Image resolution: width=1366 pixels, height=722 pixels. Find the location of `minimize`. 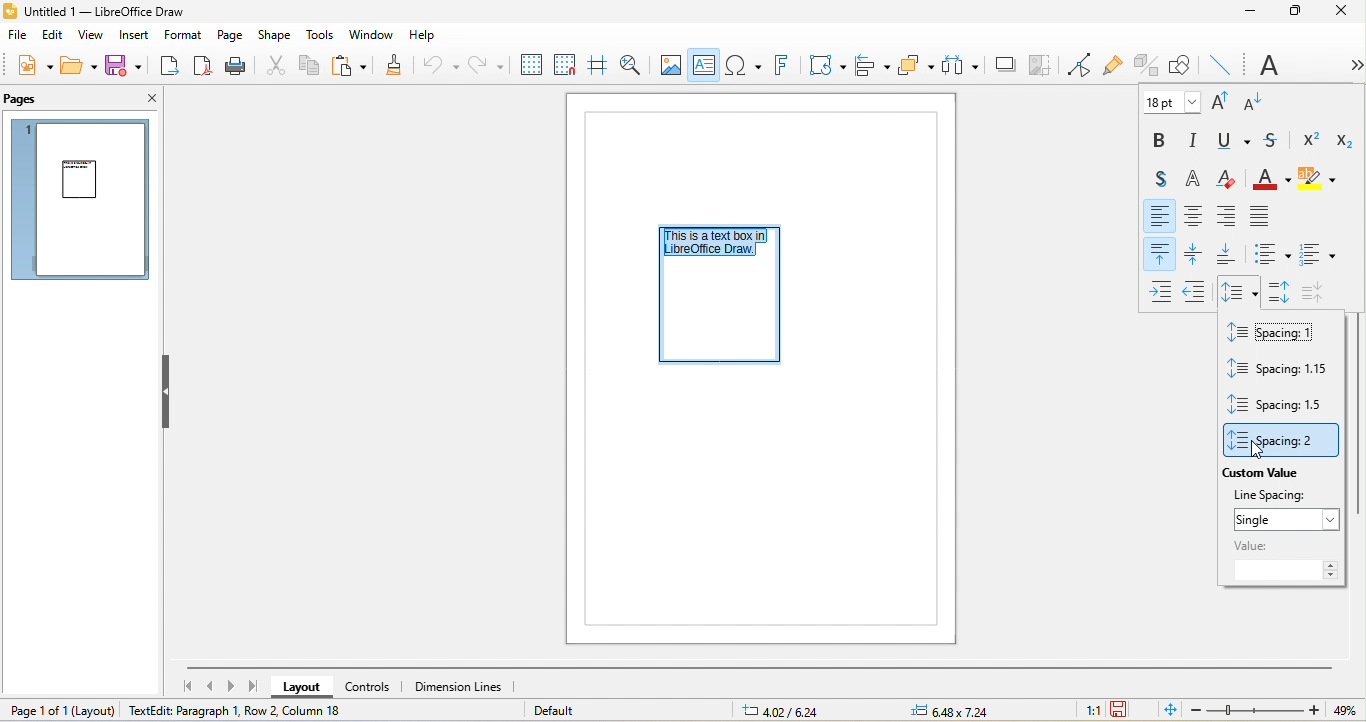

minimize is located at coordinates (1249, 12).